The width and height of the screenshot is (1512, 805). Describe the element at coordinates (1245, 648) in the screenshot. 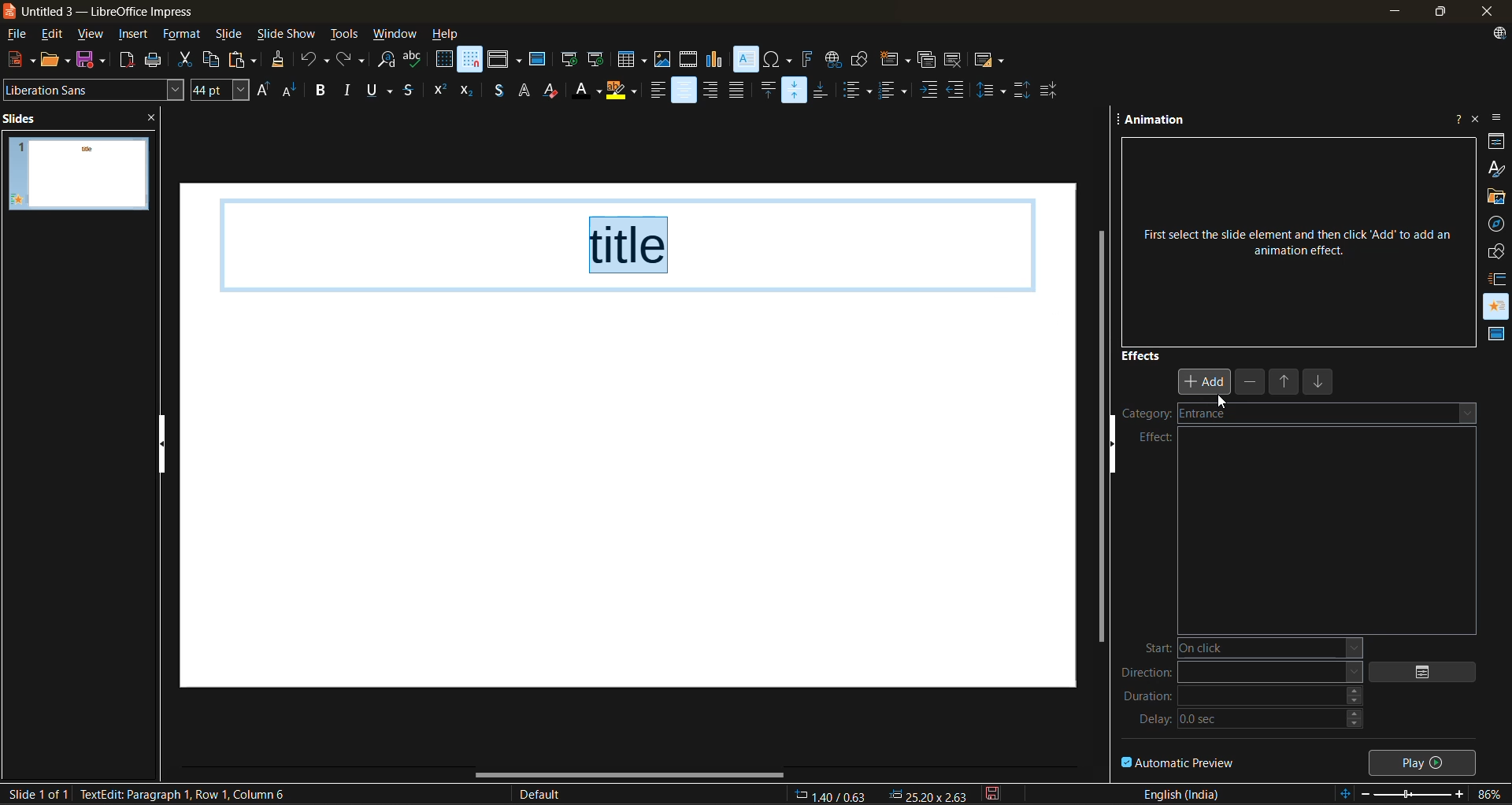

I see `start` at that location.